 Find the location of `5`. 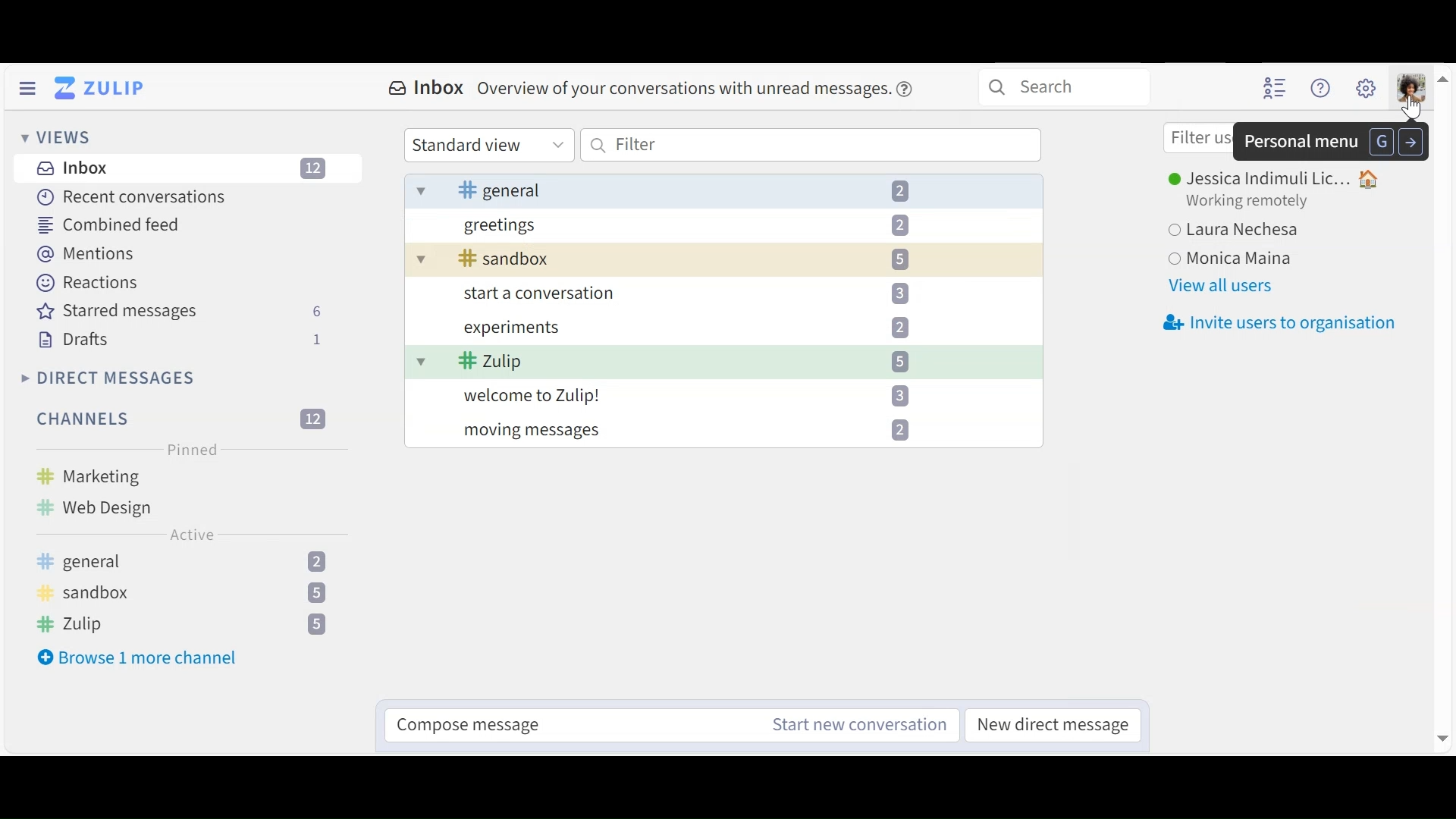

5 is located at coordinates (901, 262).